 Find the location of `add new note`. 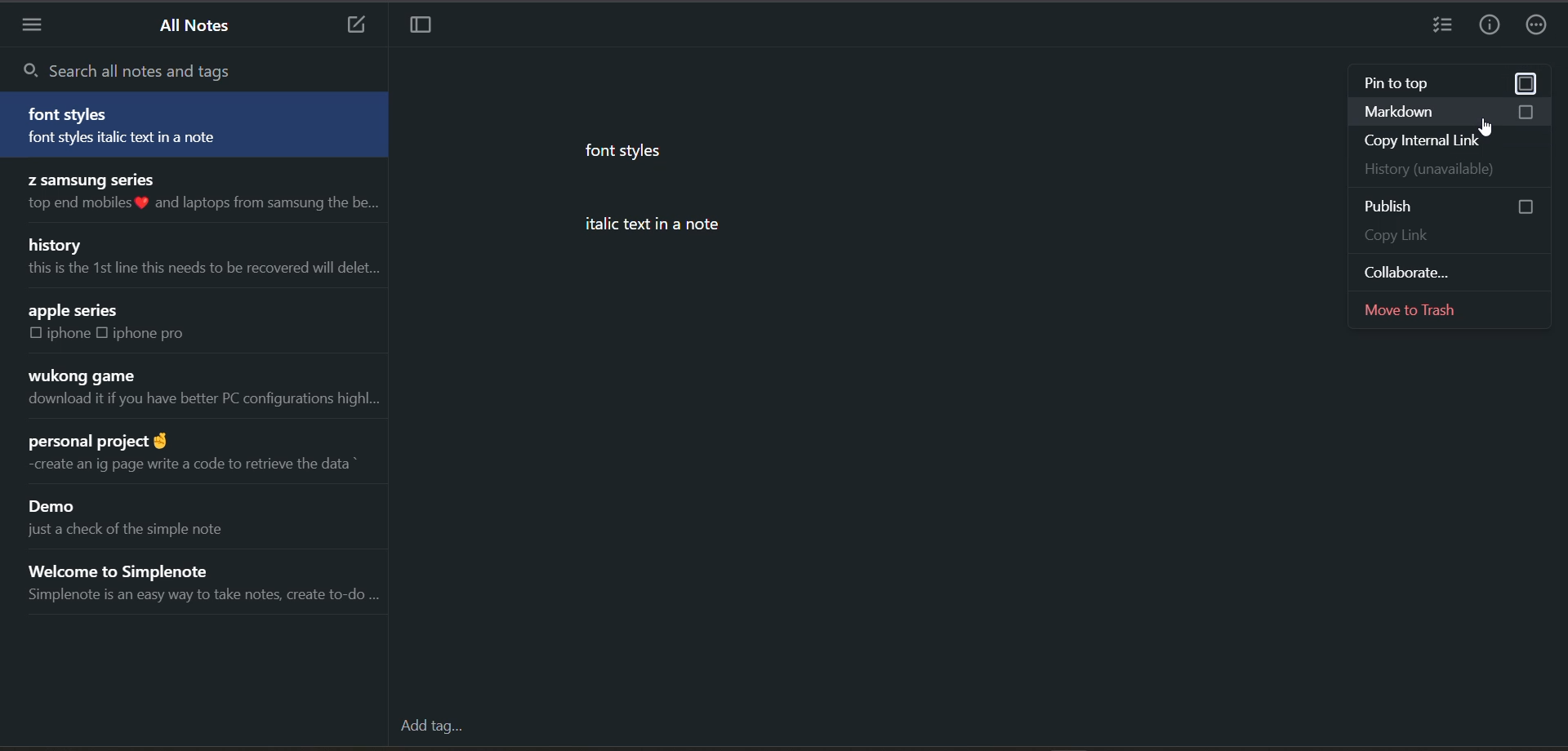

add new note is located at coordinates (354, 26).